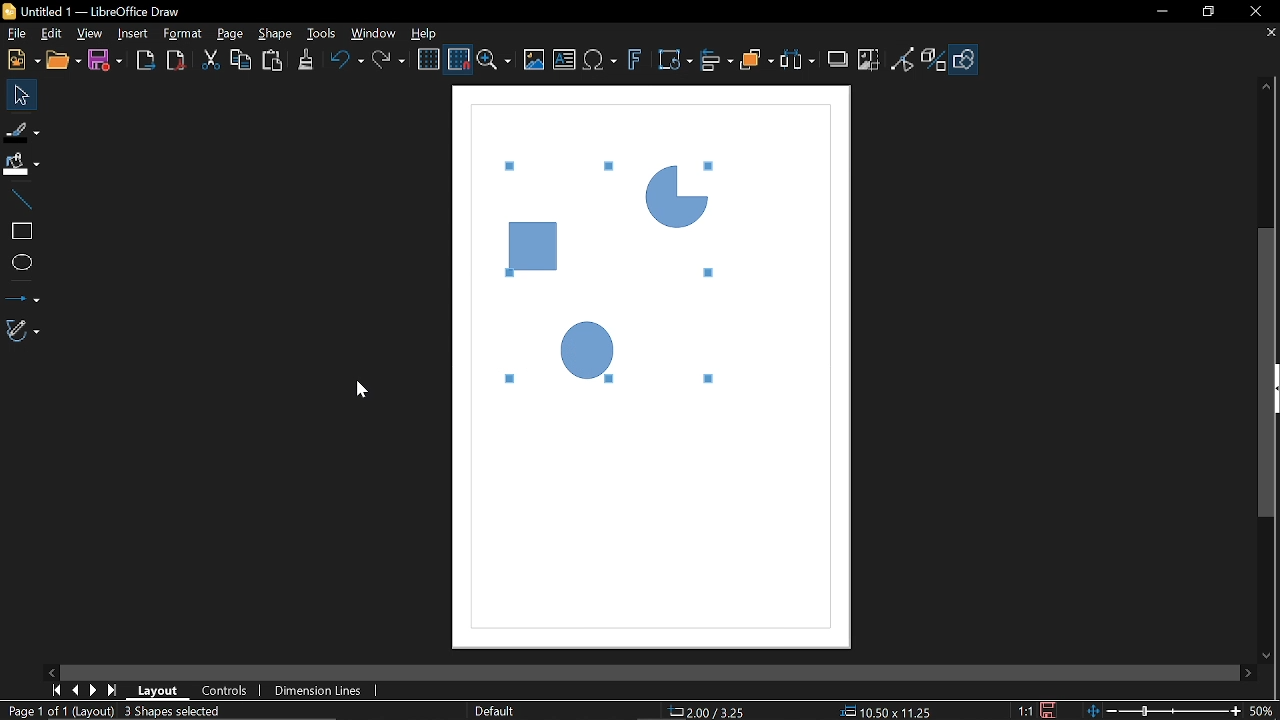 This screenshot has height=720, width=1280. Describe the element at coordinates (20, 229) in the screenshot. I see `Rectangle` at that location.